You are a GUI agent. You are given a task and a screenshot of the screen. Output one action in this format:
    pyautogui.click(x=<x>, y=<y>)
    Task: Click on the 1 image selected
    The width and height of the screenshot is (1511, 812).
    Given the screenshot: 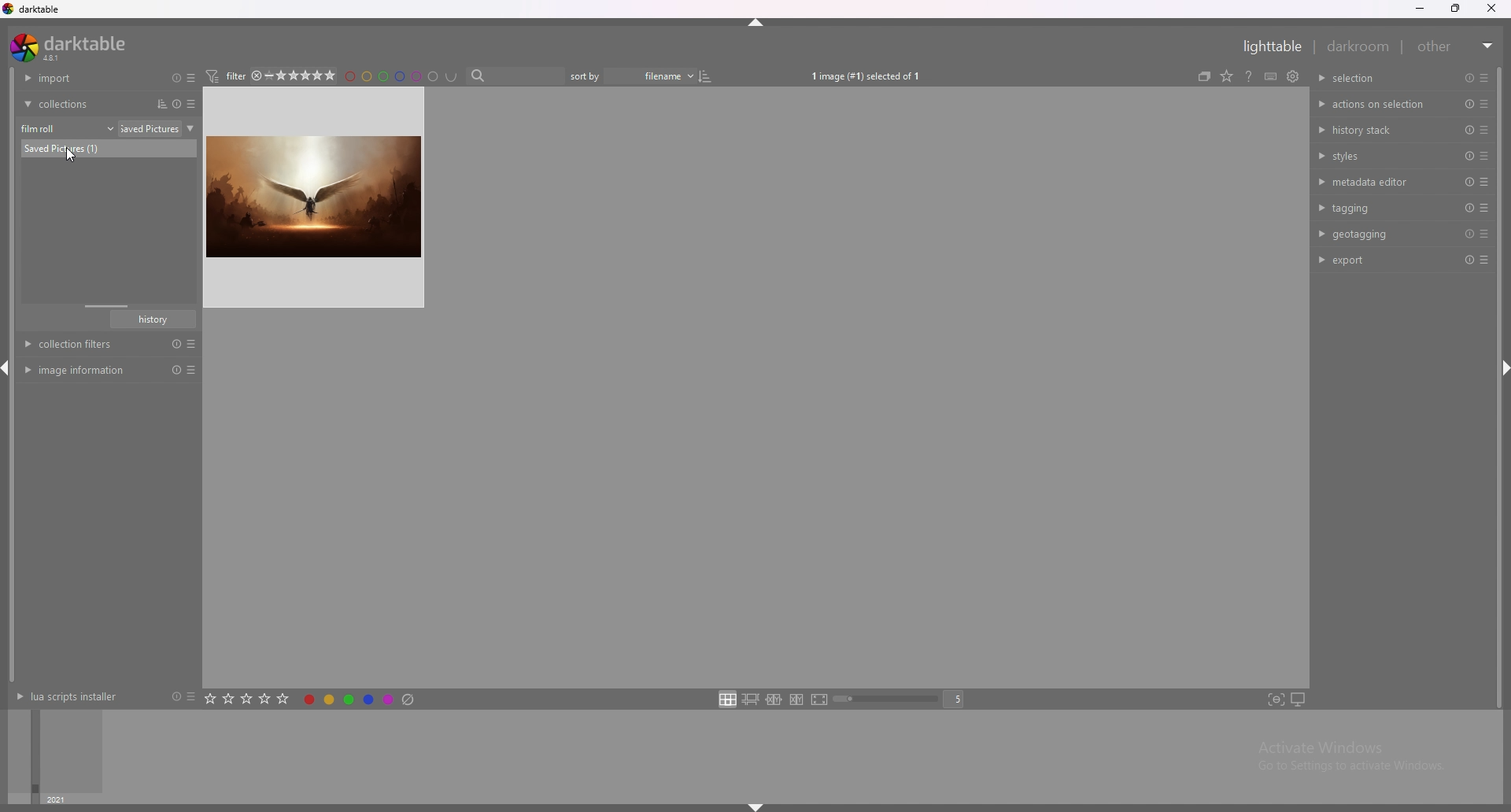 What is the action you would take?
    pyautogui.click(x=872, y=76)
    